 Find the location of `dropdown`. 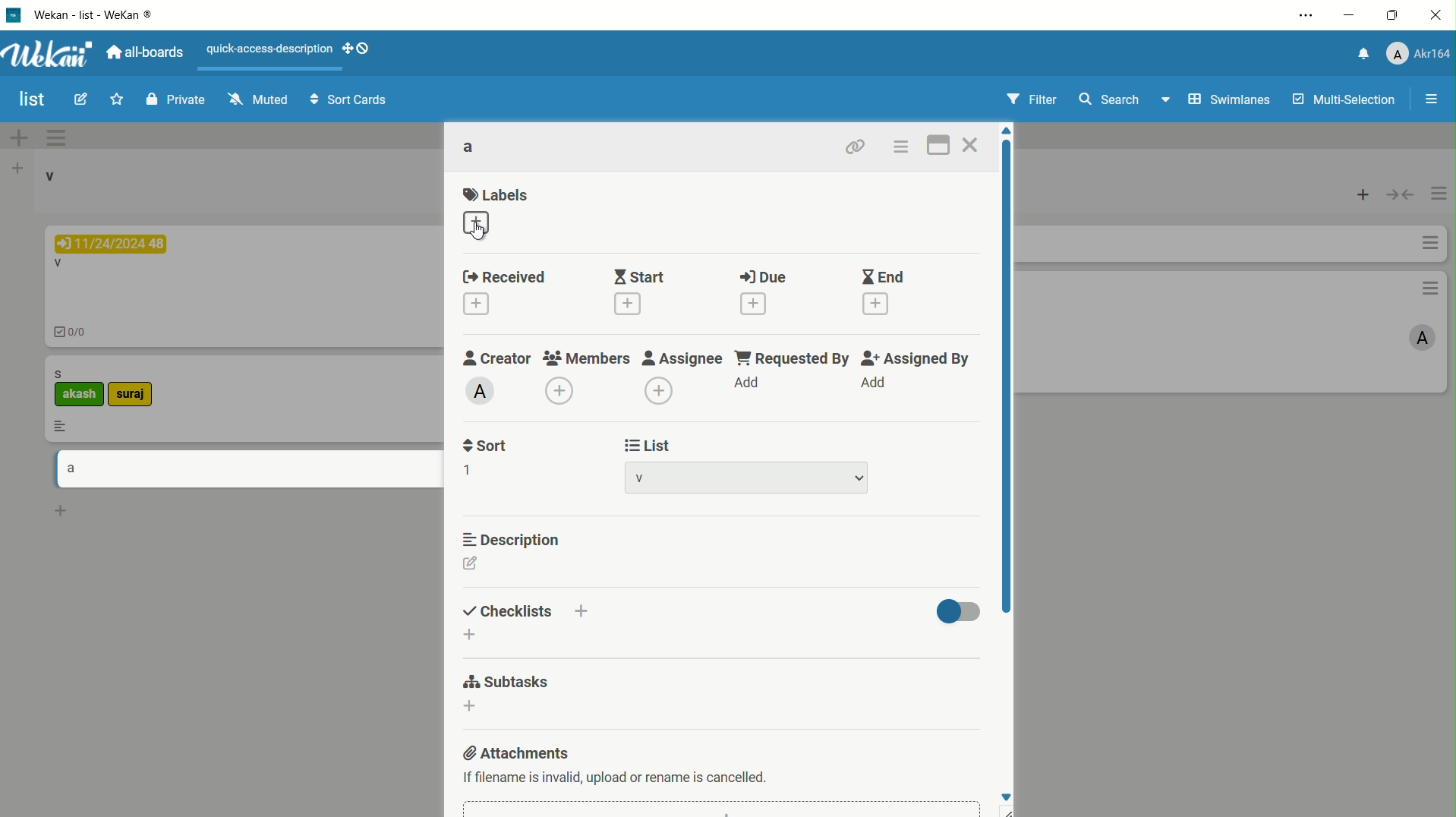

dropdown is located at coordinates (859, 480).